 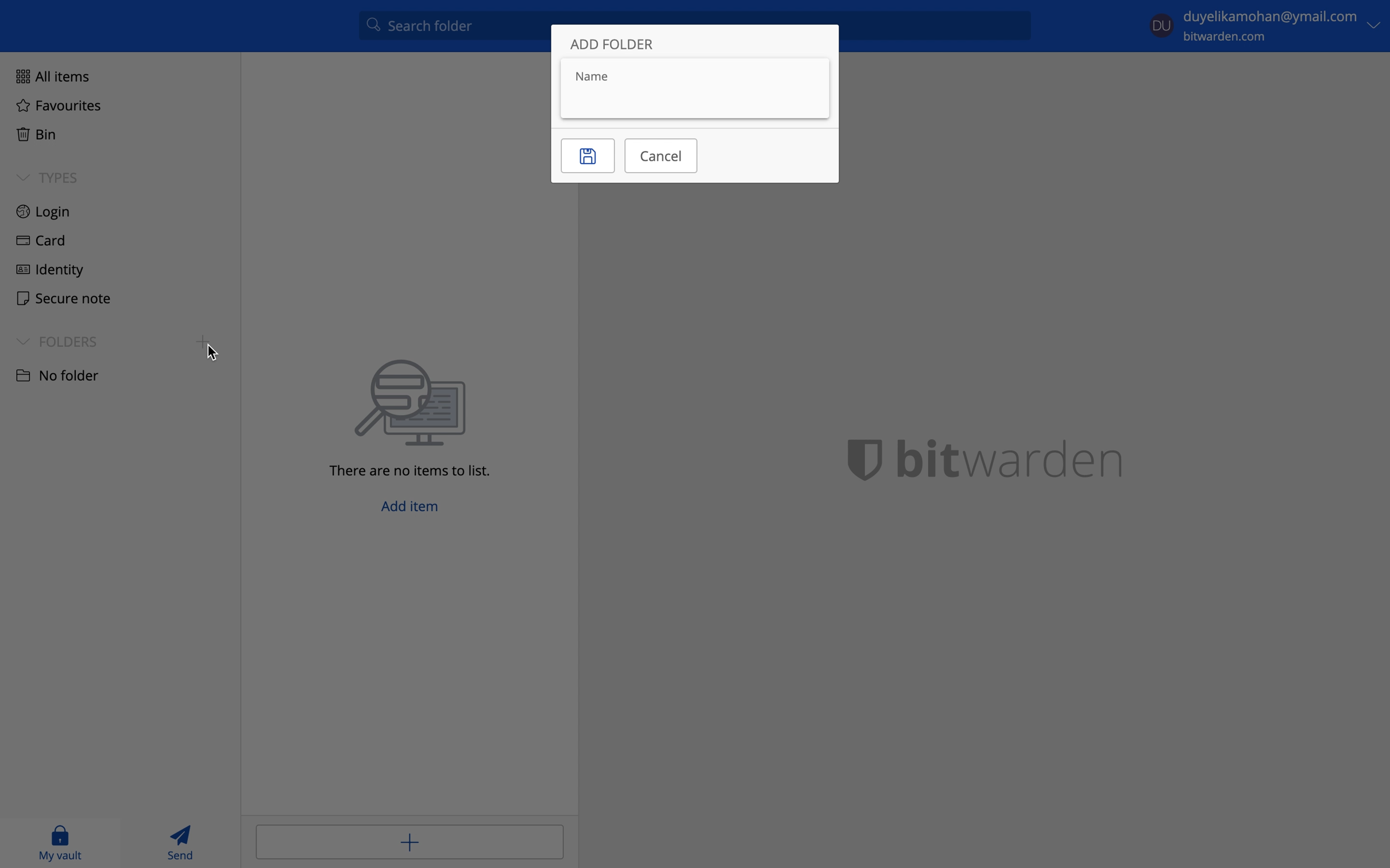 What do you see at coordinates (418, 418) in the screenshot?
I see `no items to list` at bounding box center [418, 418].